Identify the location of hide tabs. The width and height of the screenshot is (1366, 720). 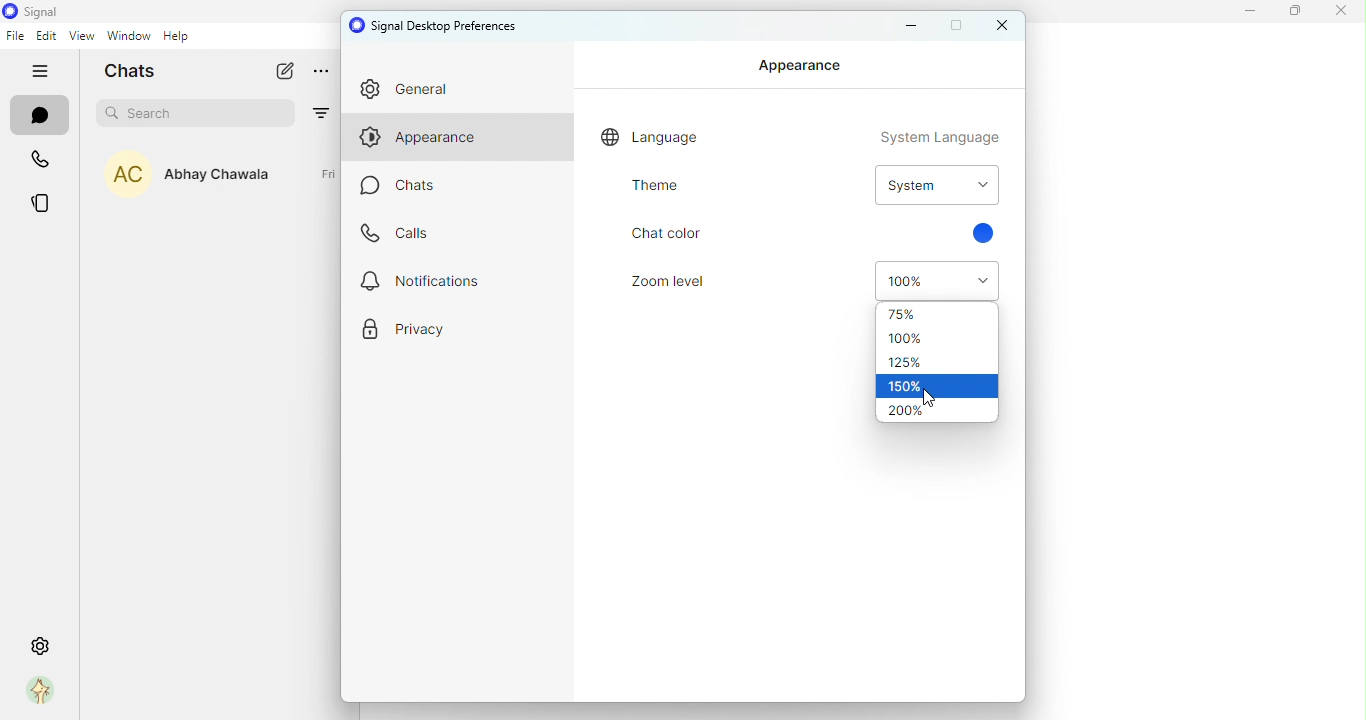
(38, 72).